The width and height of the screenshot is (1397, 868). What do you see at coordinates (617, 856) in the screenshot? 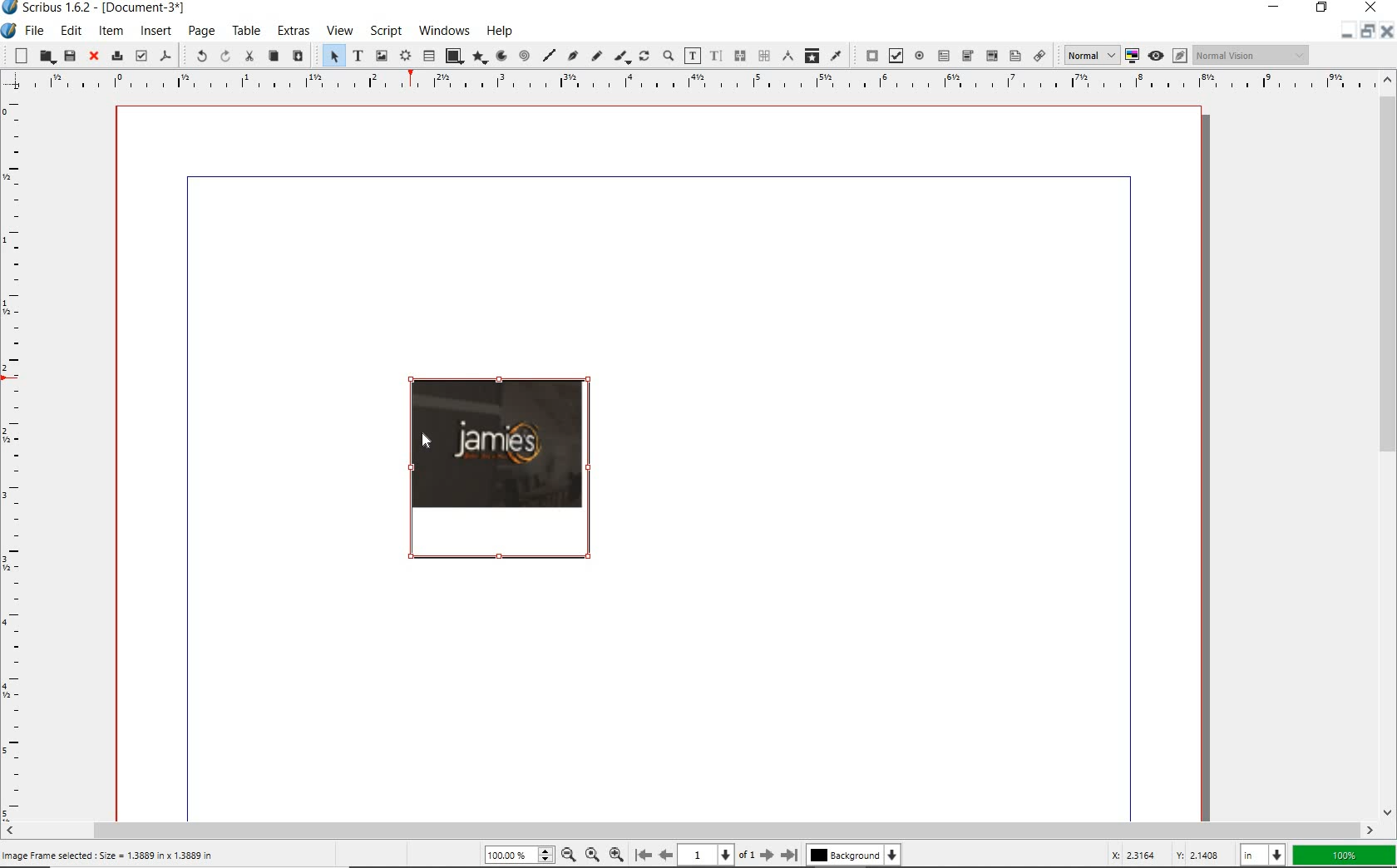
I see `zoom in` at bounding box center [617, 856].